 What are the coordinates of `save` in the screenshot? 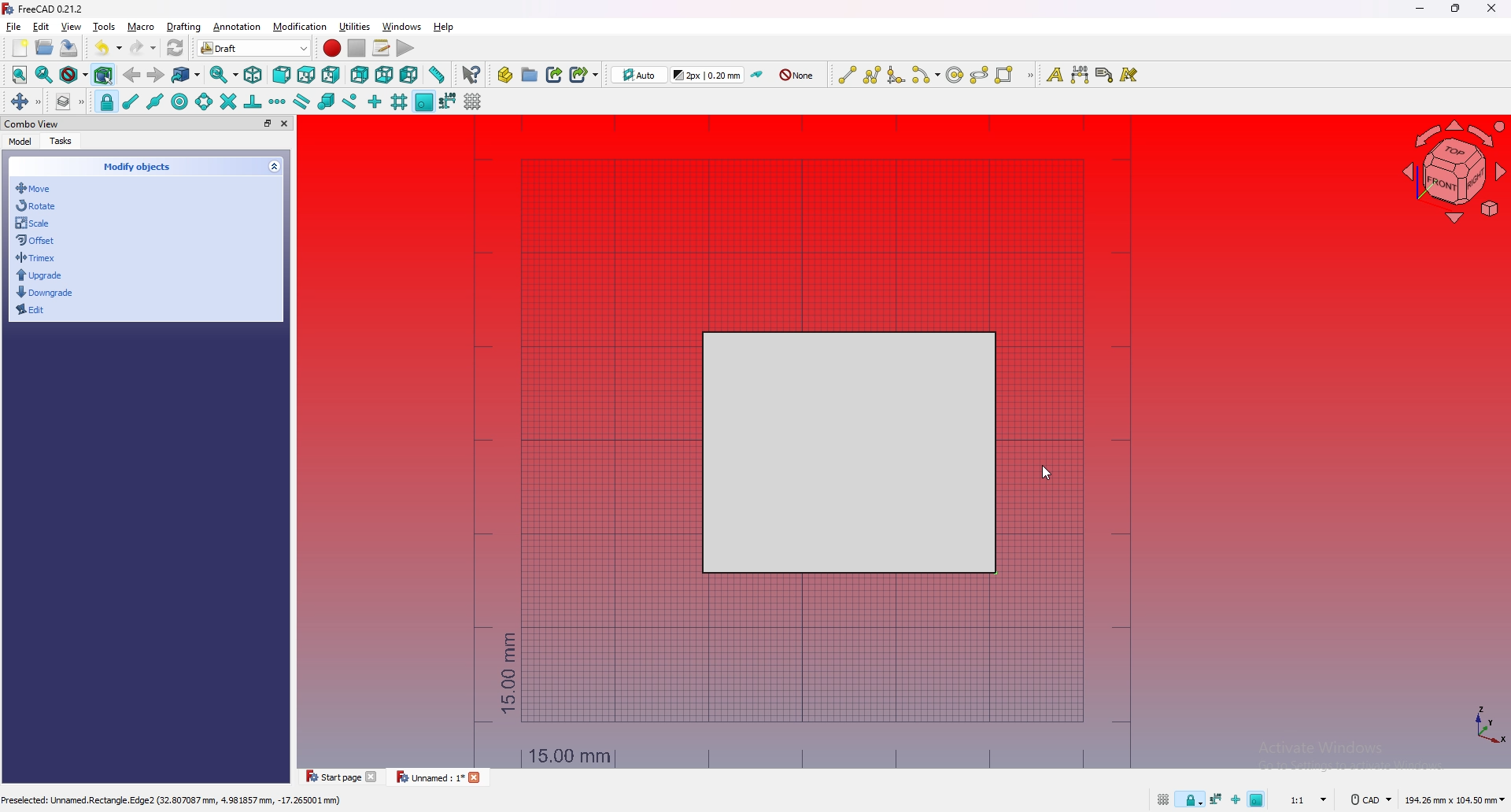 It's located at (69, 48).